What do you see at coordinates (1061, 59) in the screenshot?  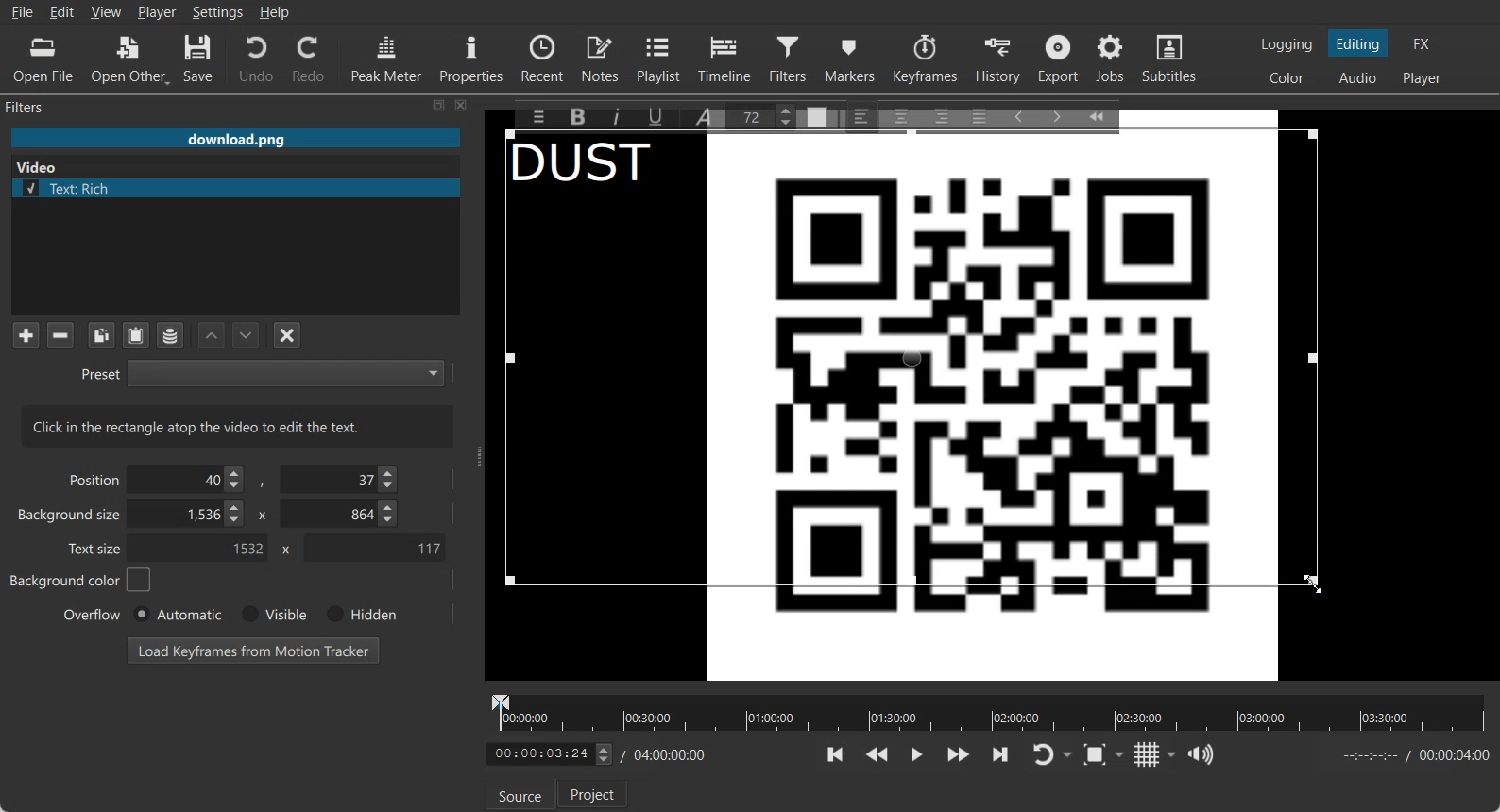 I see `Export` at bounding box center [1061, 59].